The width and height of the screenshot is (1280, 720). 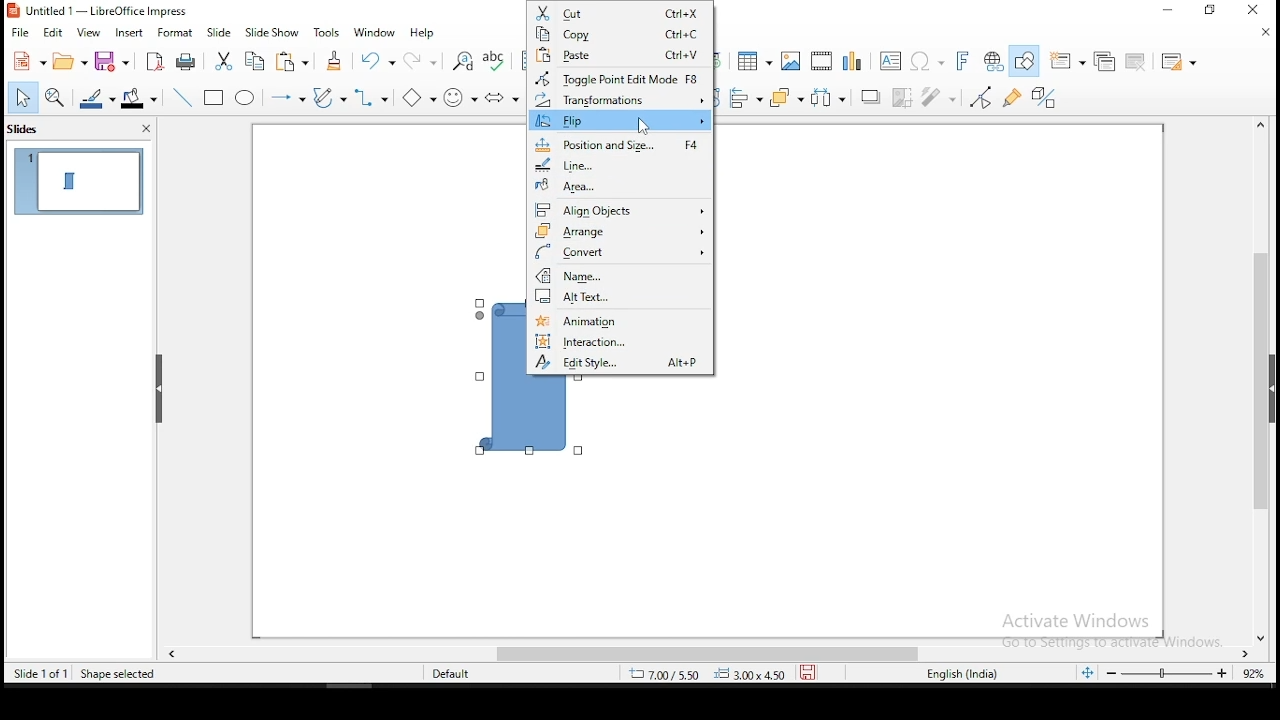 I want to click on view, so click(x=91, y=32).